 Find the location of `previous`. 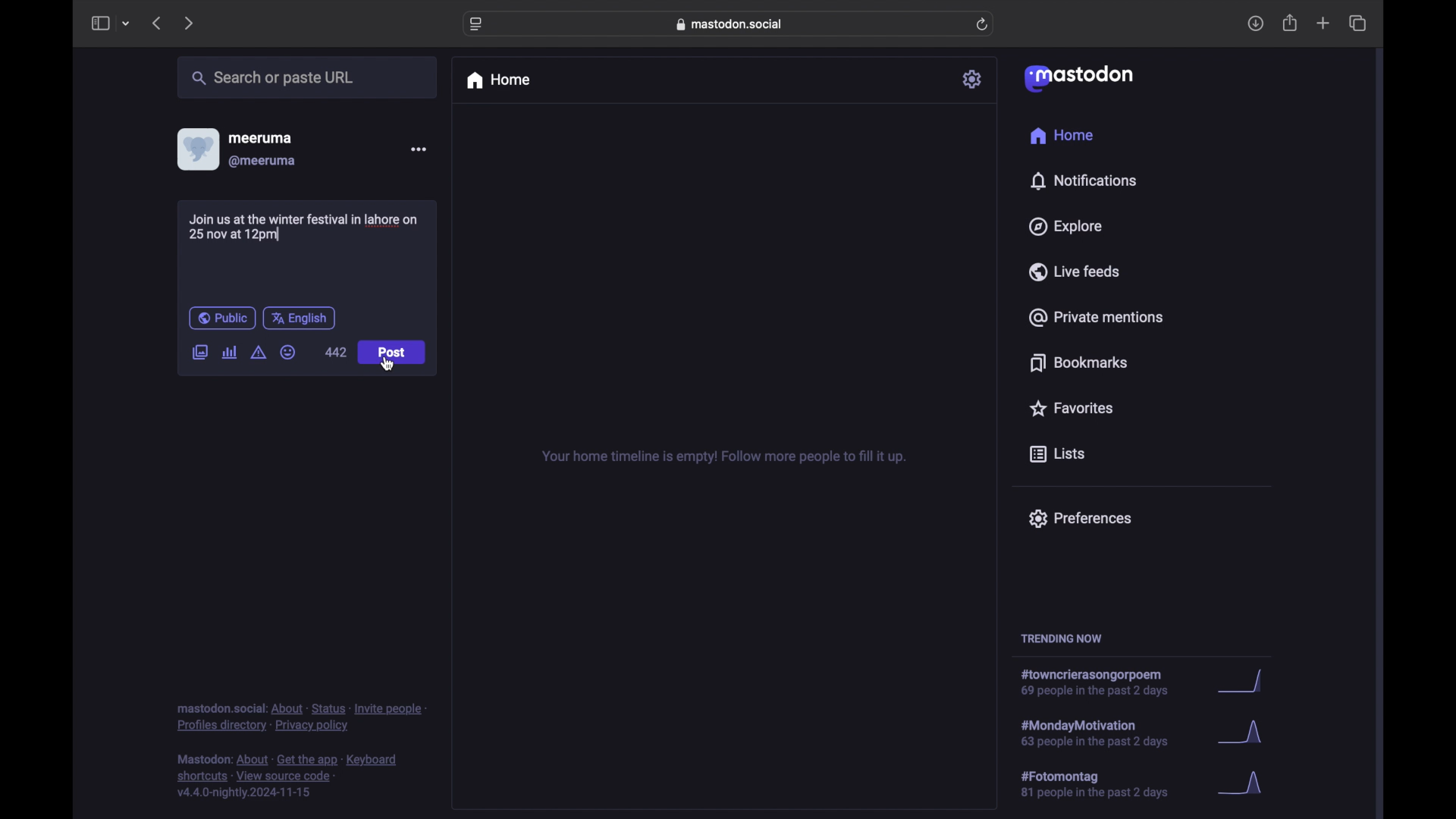

previous is located at coordinates (156, 23).